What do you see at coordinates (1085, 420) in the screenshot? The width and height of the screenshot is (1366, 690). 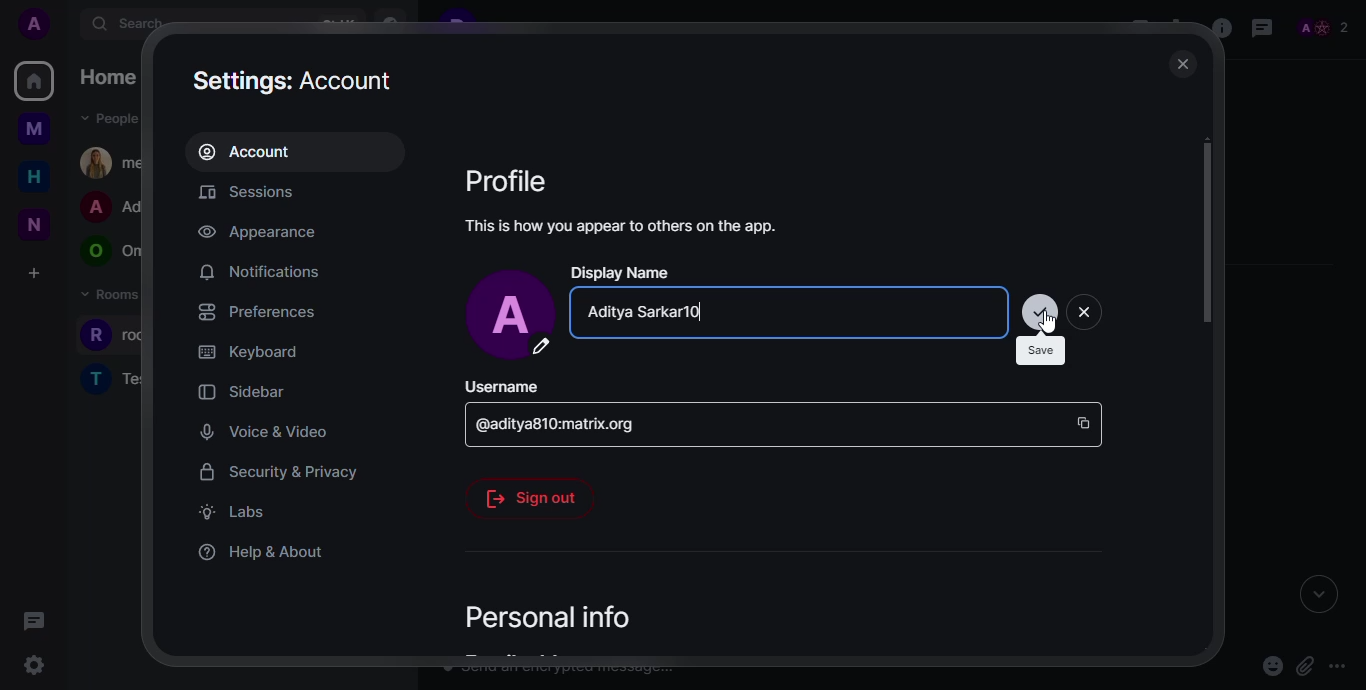 I see `copy` at bounding box center [1085, 420].